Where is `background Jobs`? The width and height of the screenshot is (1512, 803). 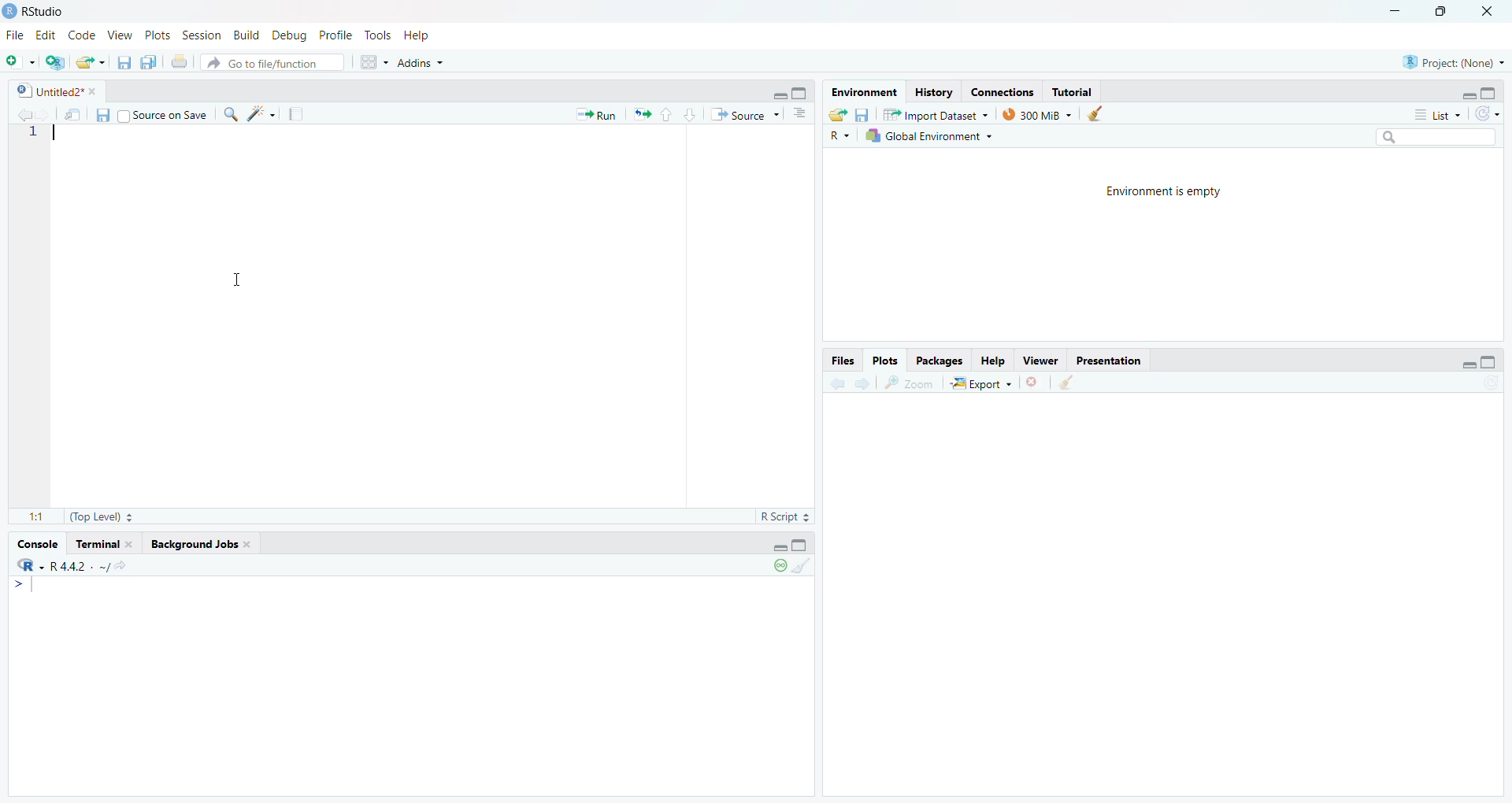 background Jobs is located at coordinates (199, 546).